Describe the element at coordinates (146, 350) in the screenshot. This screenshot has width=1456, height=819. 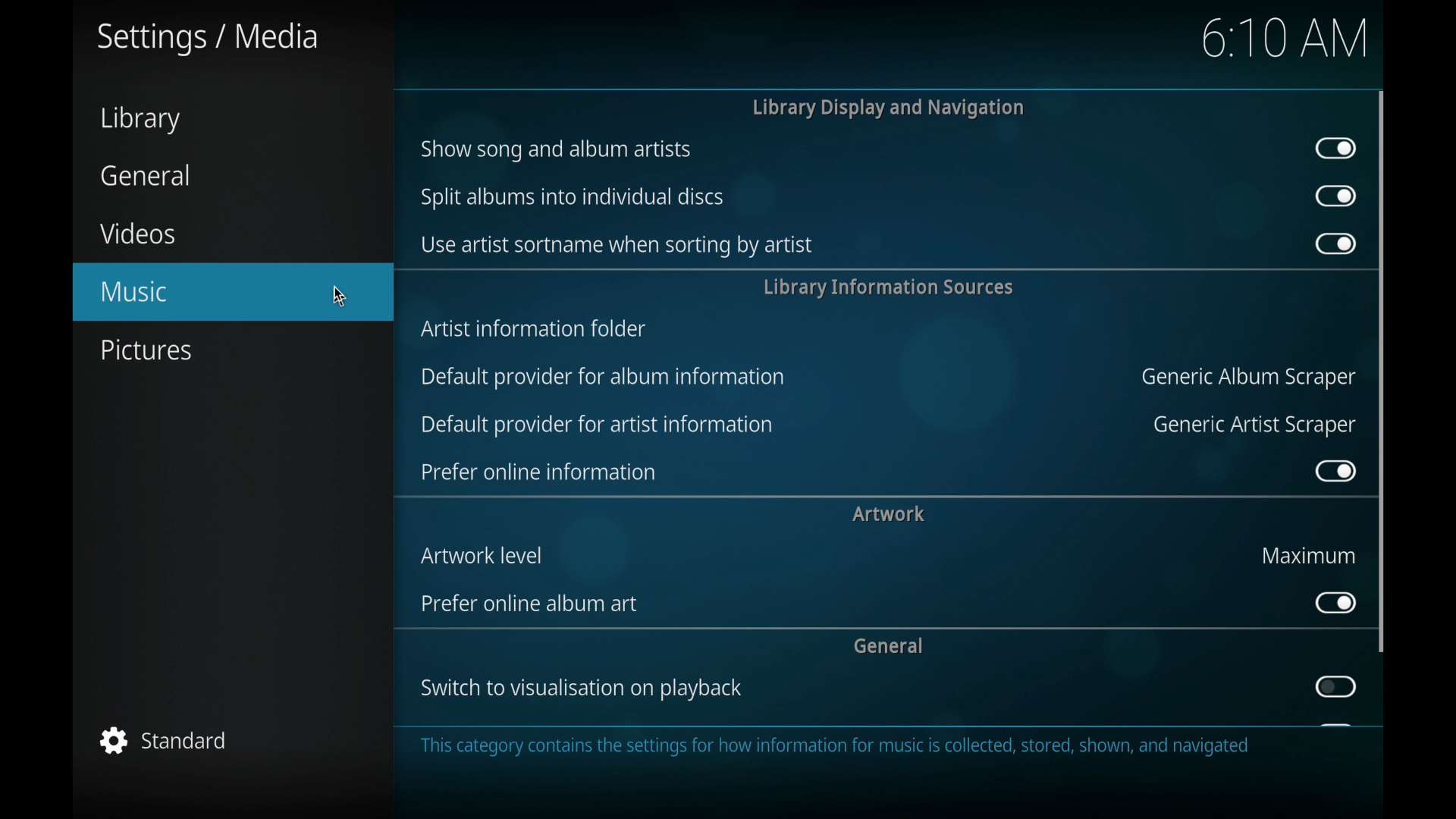
I see `pictures` at that location.